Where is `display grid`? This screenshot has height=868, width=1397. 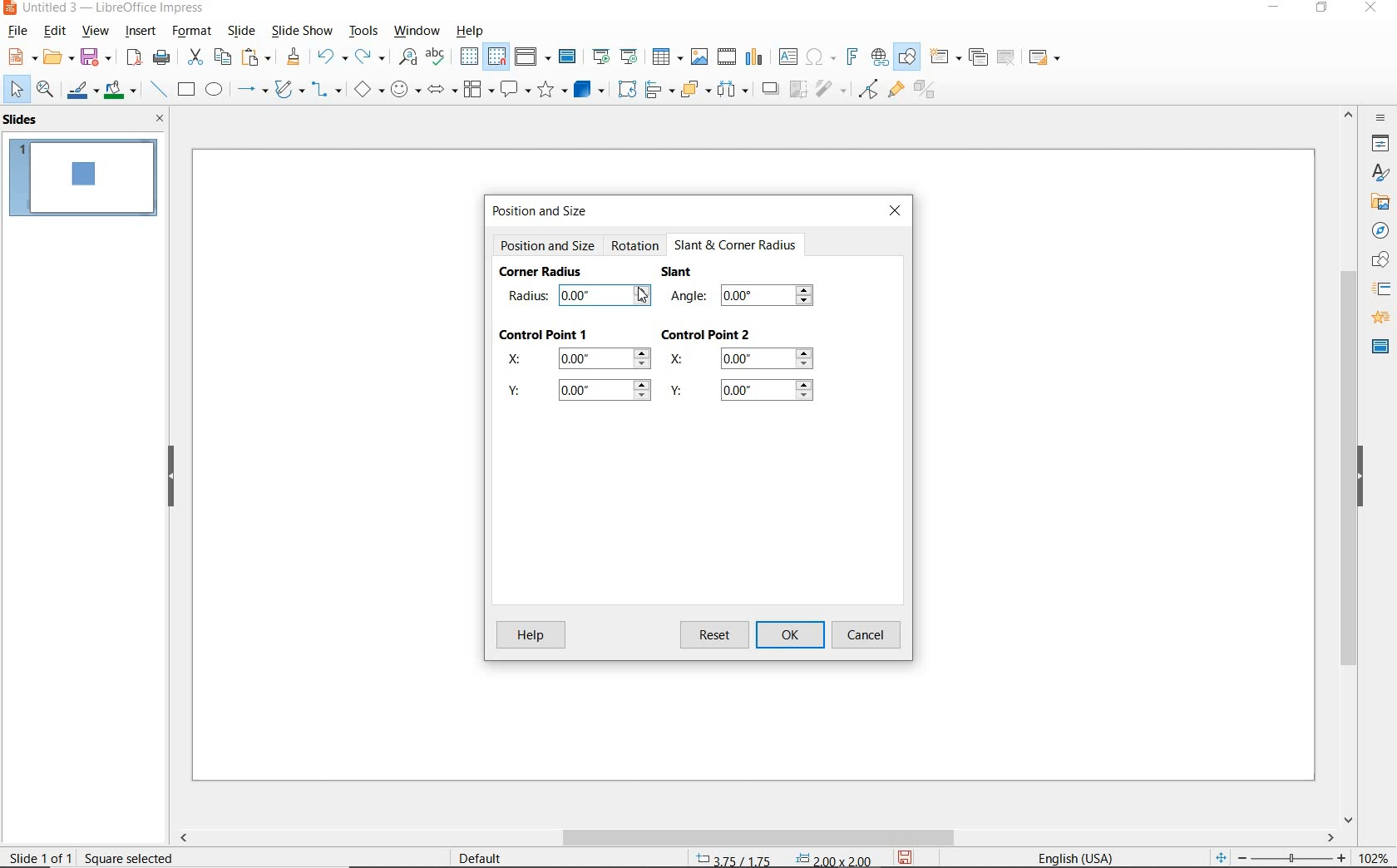
display grid is located at coordinates (469, 57).